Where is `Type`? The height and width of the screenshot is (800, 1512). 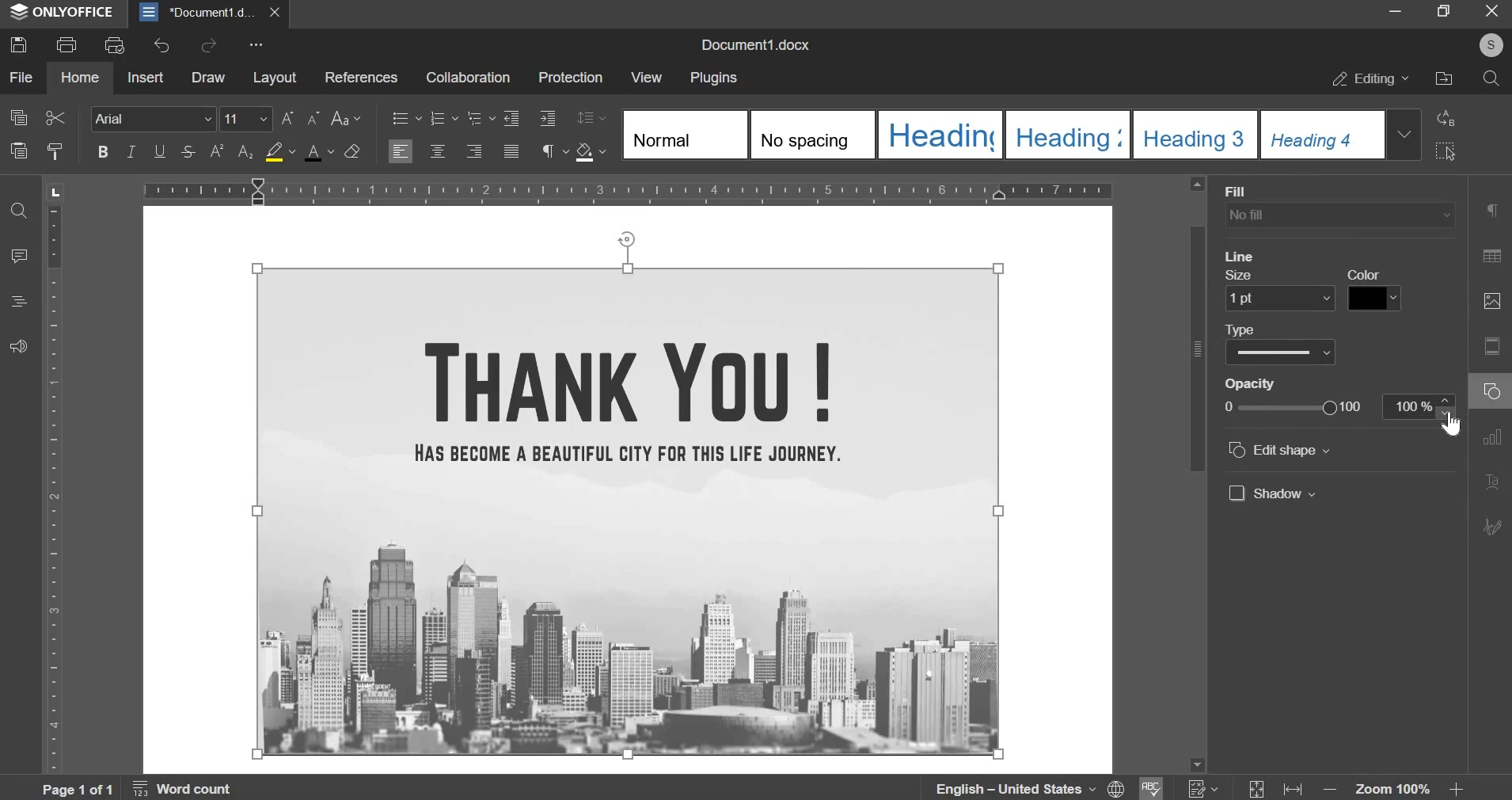
Type is located at coordinates (1282, 346).